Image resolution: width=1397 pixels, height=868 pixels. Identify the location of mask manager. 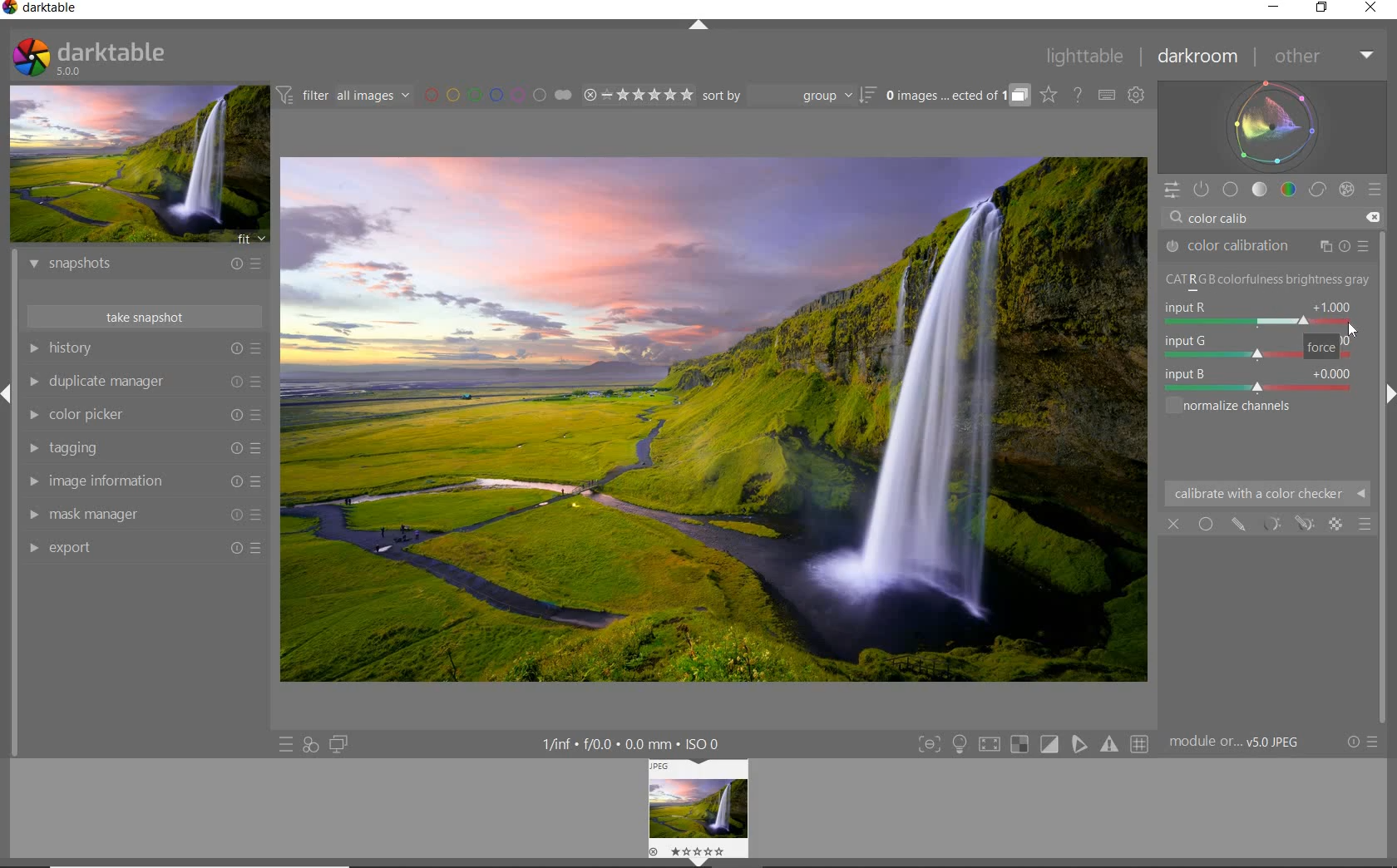
(146, 515).